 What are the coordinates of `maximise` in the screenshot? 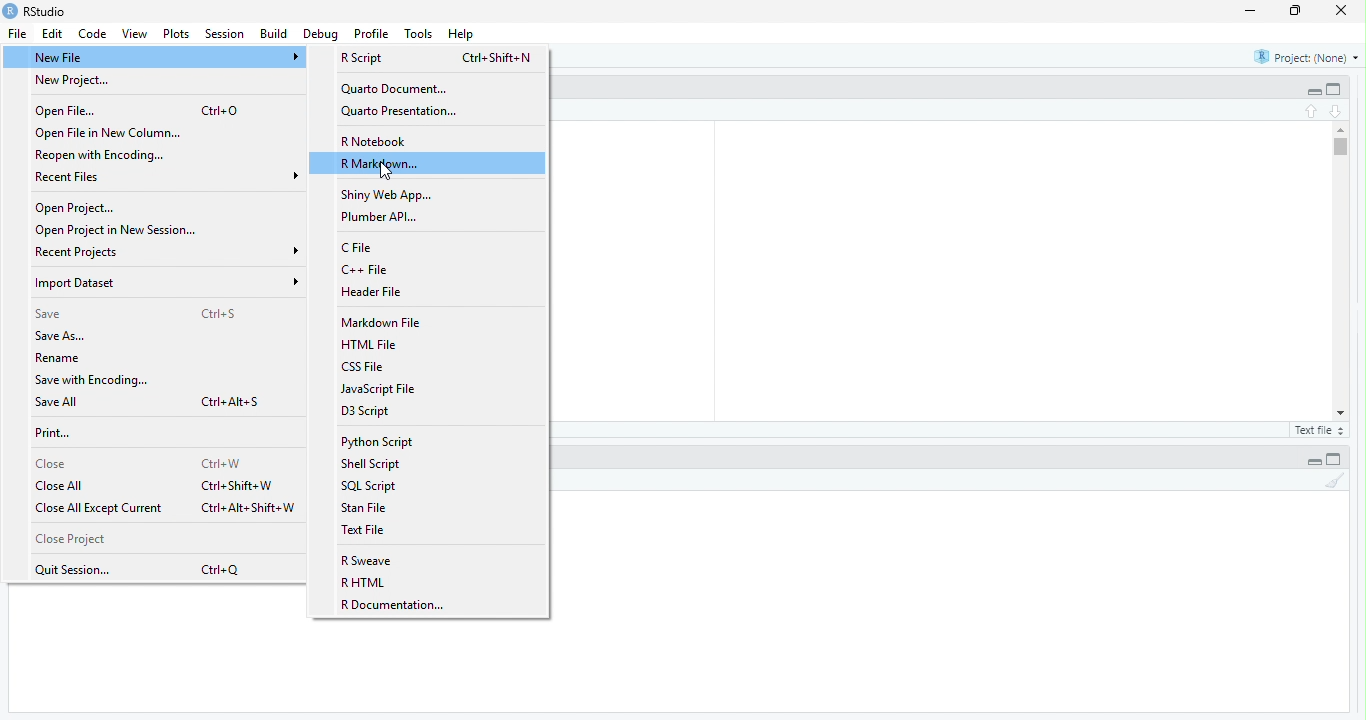 It's located at (1296, 11).